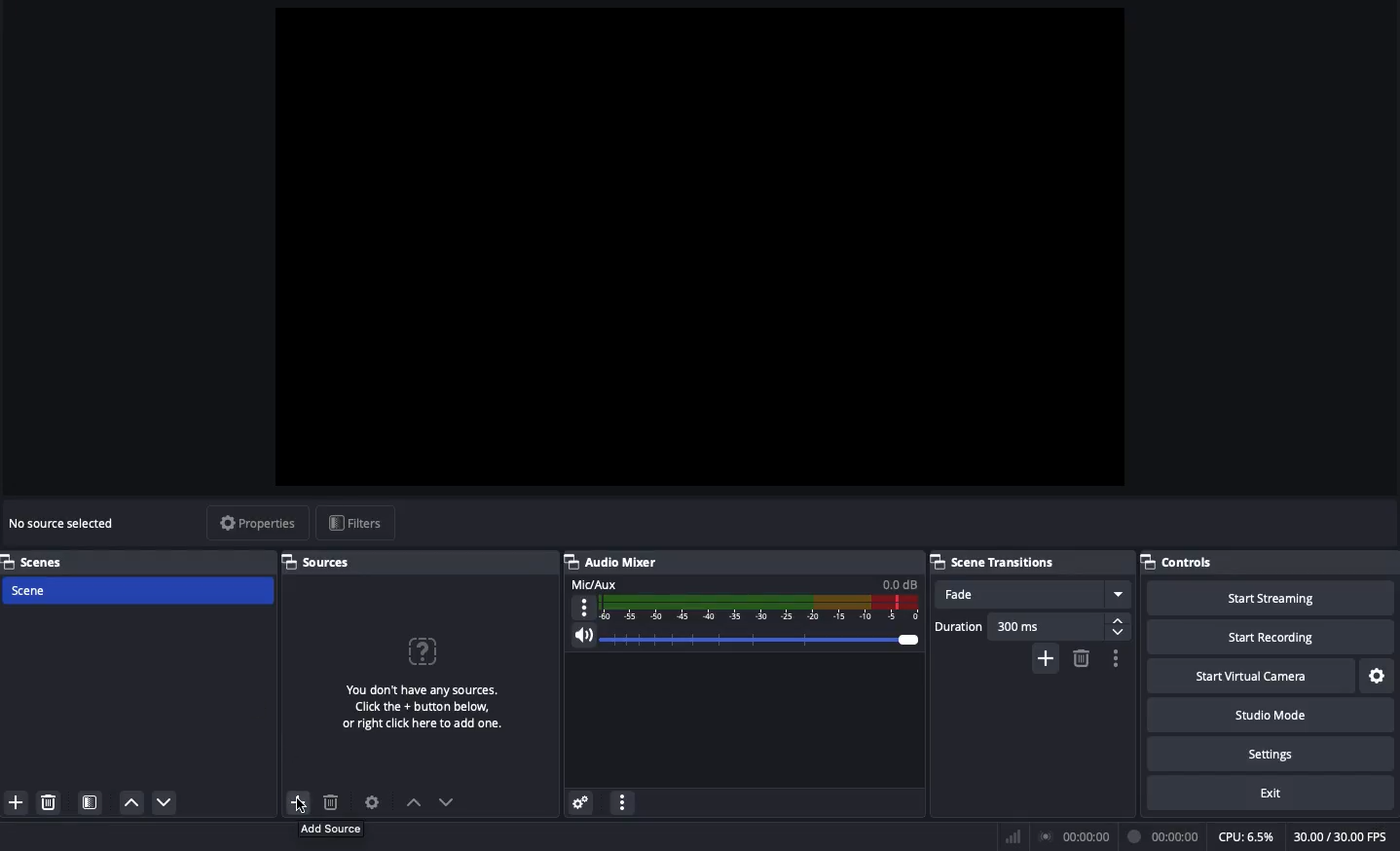 This screenshot has width=1400, height=851. Describe the element at coordinates (1027, 626) in the screenshot. I see `Duration` at that location.